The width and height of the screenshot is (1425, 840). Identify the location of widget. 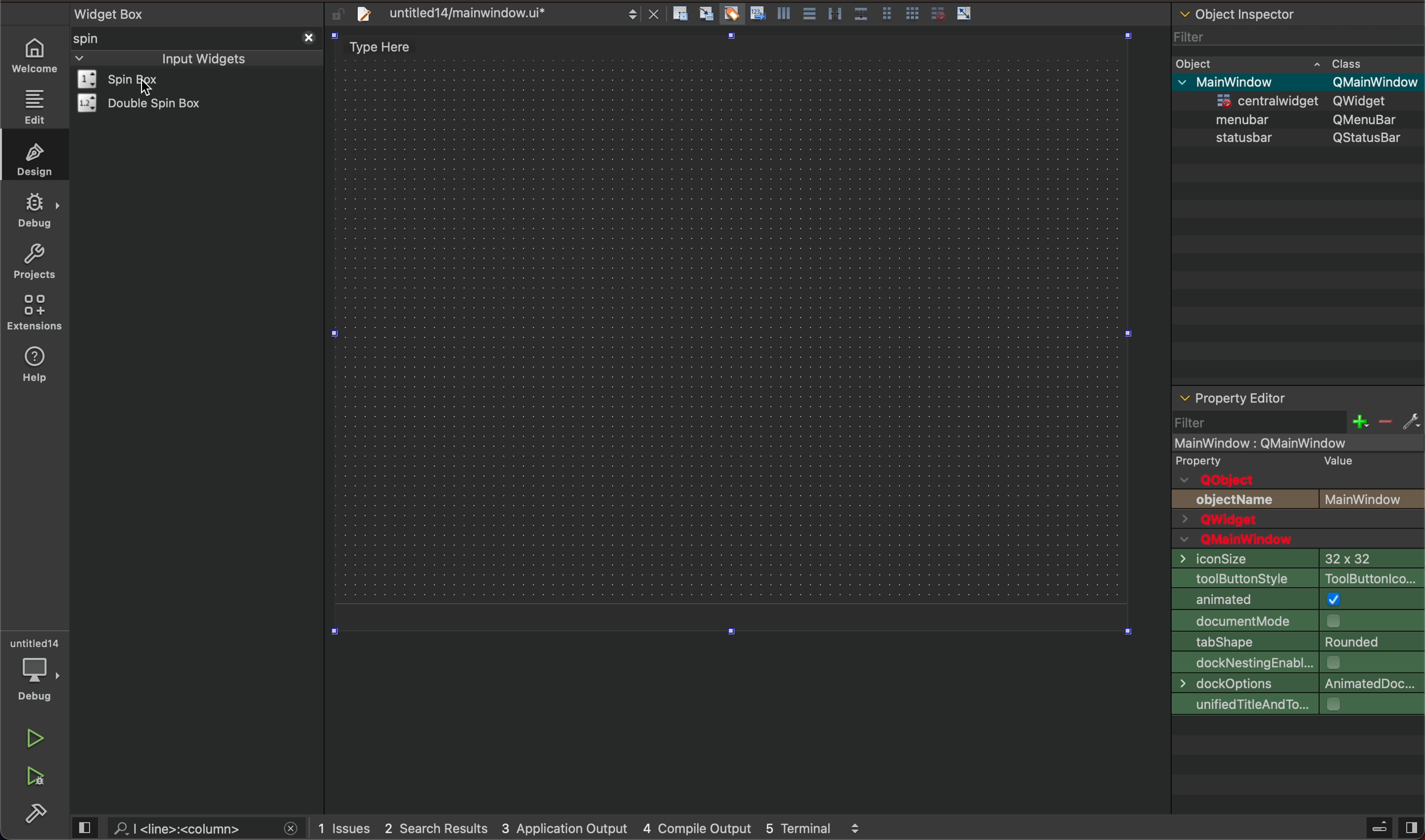
(146, 103).